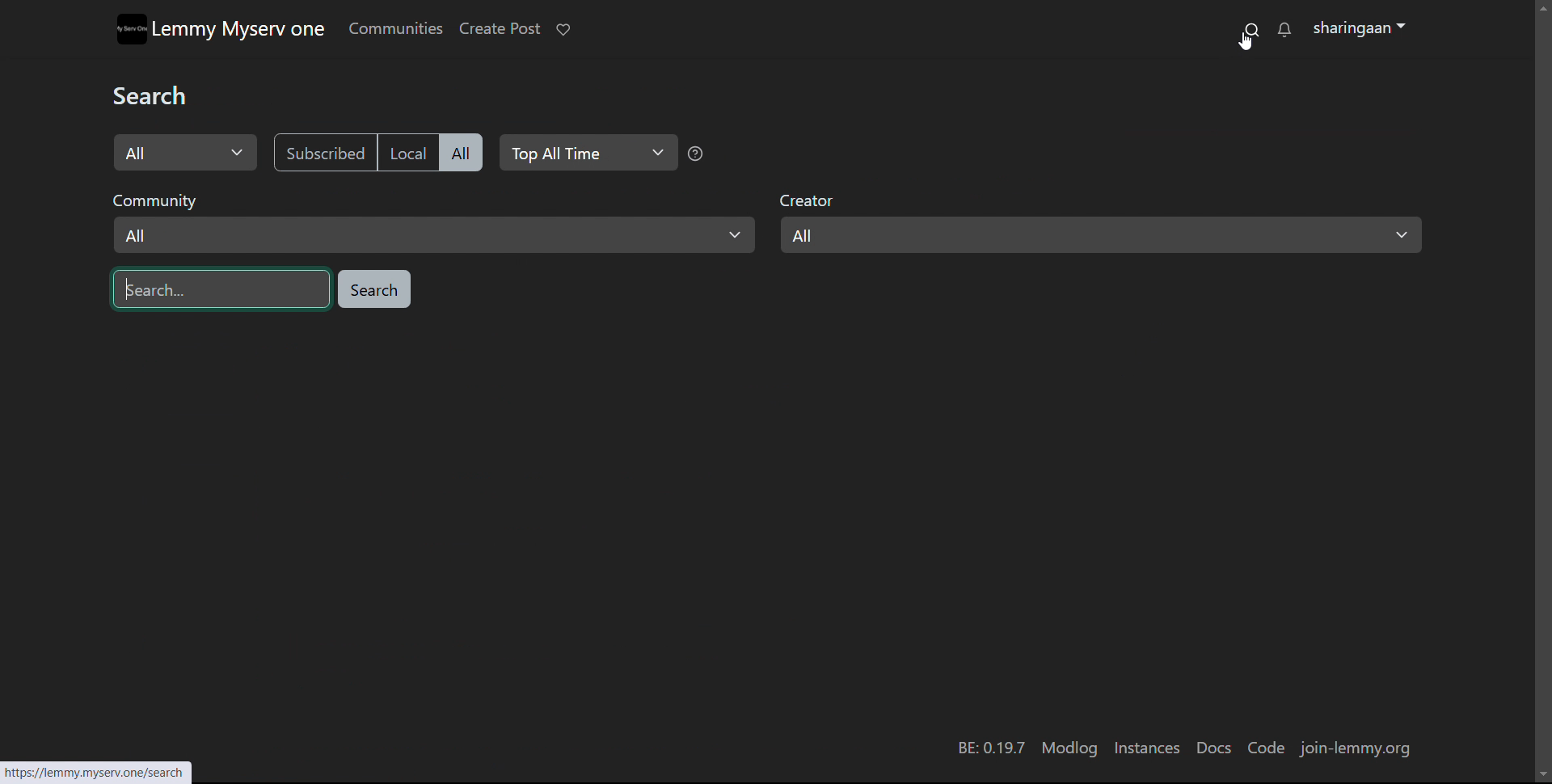 The height and width of the screenshot is (784, 1552). Describe the element at coordinates (1244, 44) in the screenshot. I see `Pointer` at that location.